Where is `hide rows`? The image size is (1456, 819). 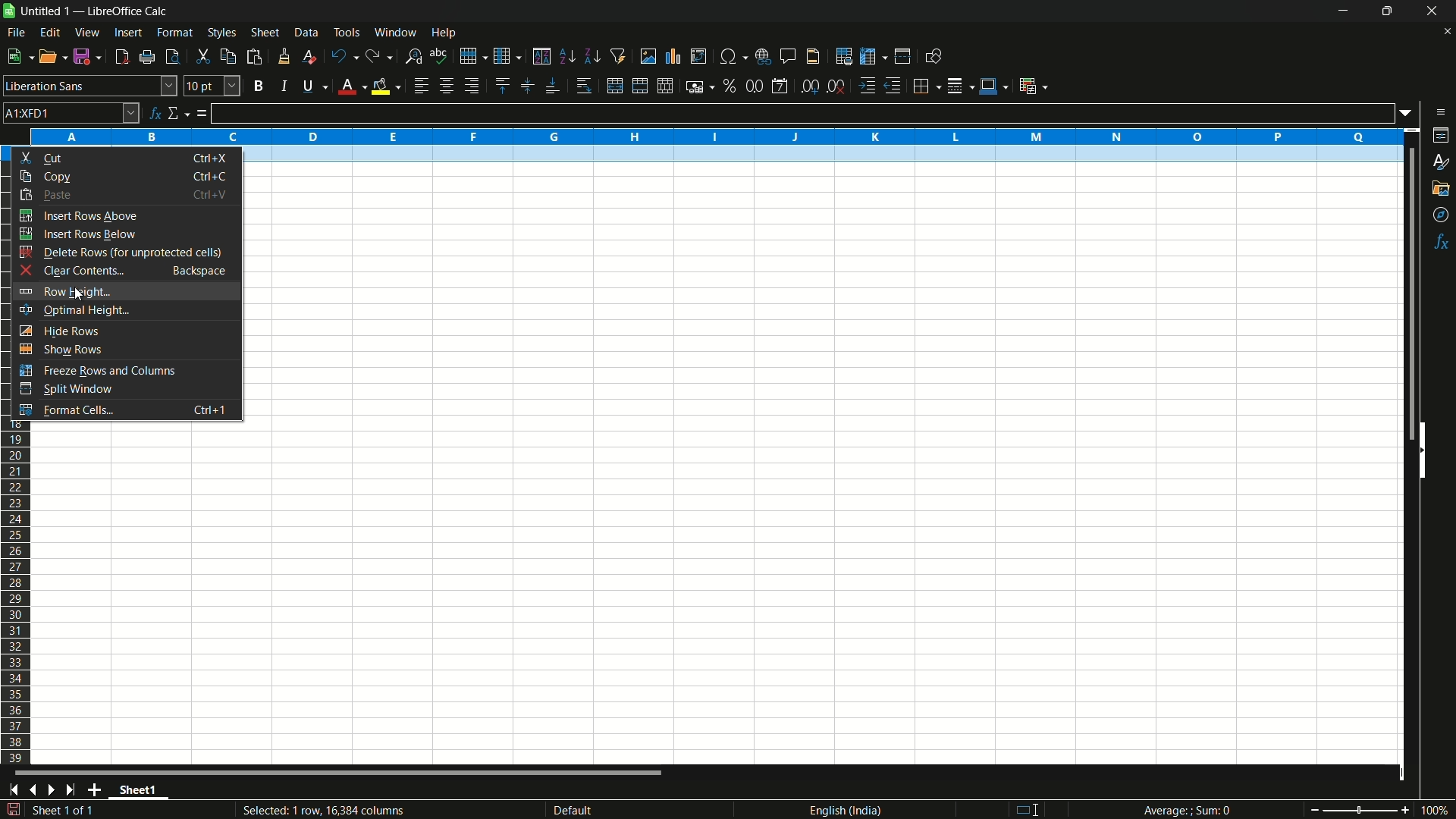
hide rows is located at coordinates (124, 330).